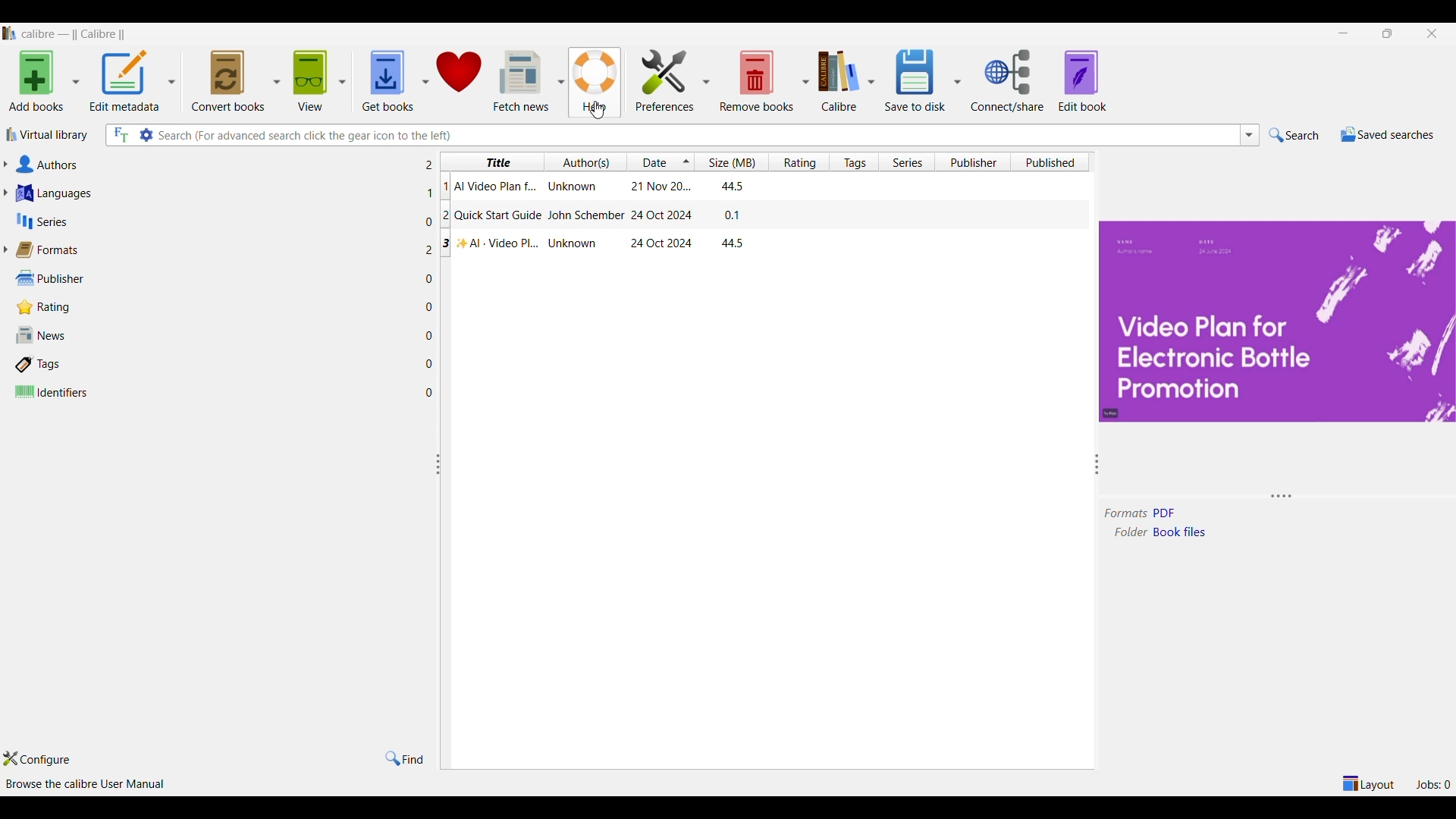 This screenshot has height=819, width=1456. I want to click on Show/Hide parts of Calibre main window, so click(1369, 784).